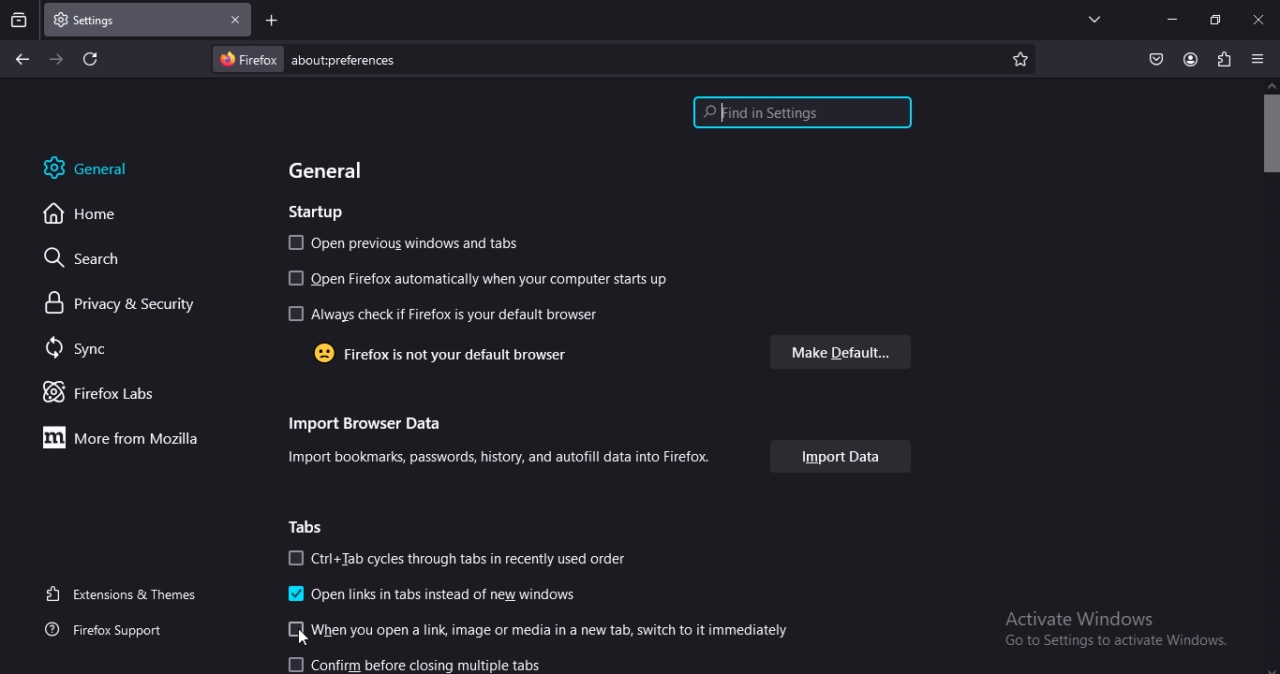 This screenshot has width=1280, height=674. What do you see at coordinates (411, 244) in the screenshot?
I see `open previous windows and tabs` at bounding box center [411, 244].